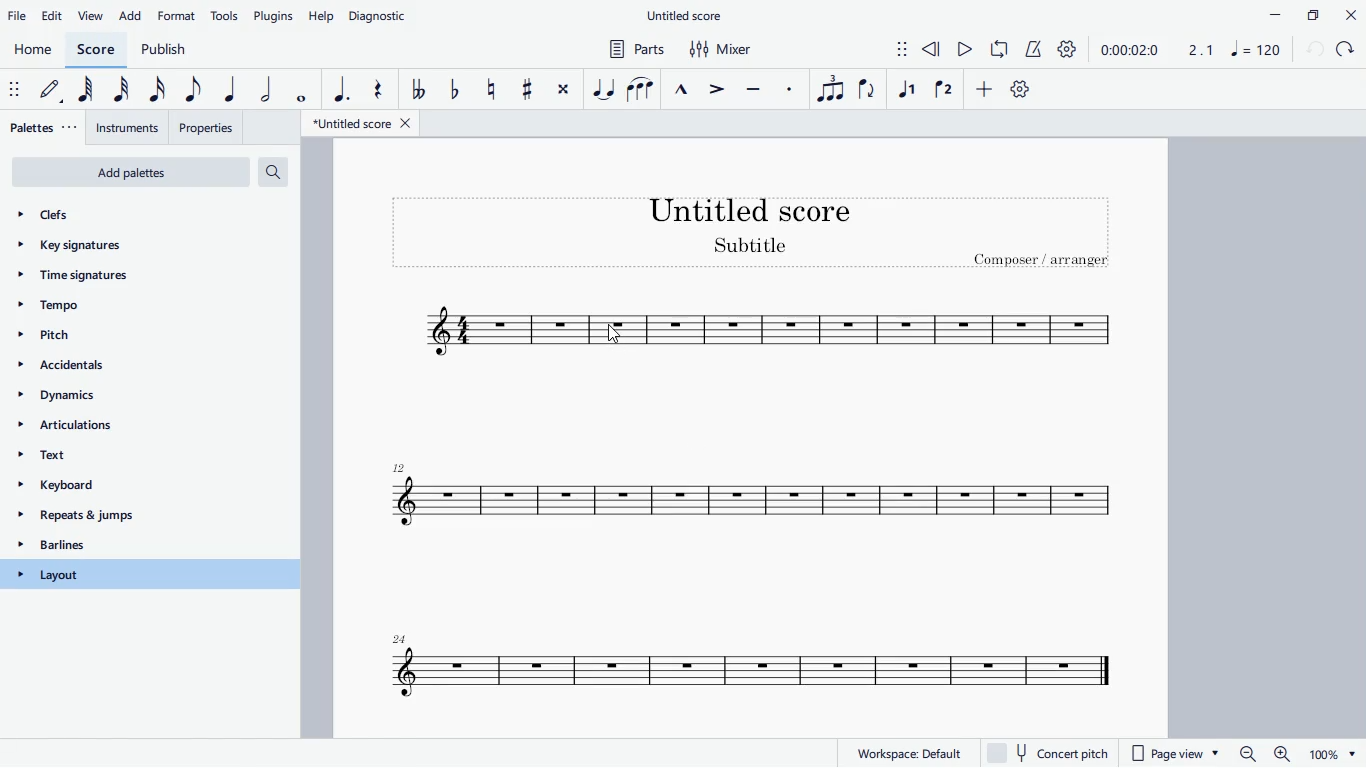  What do you see at coordinates (616, 335) in the screenshot?
I see `cursor` at bounding box center [616, 335].